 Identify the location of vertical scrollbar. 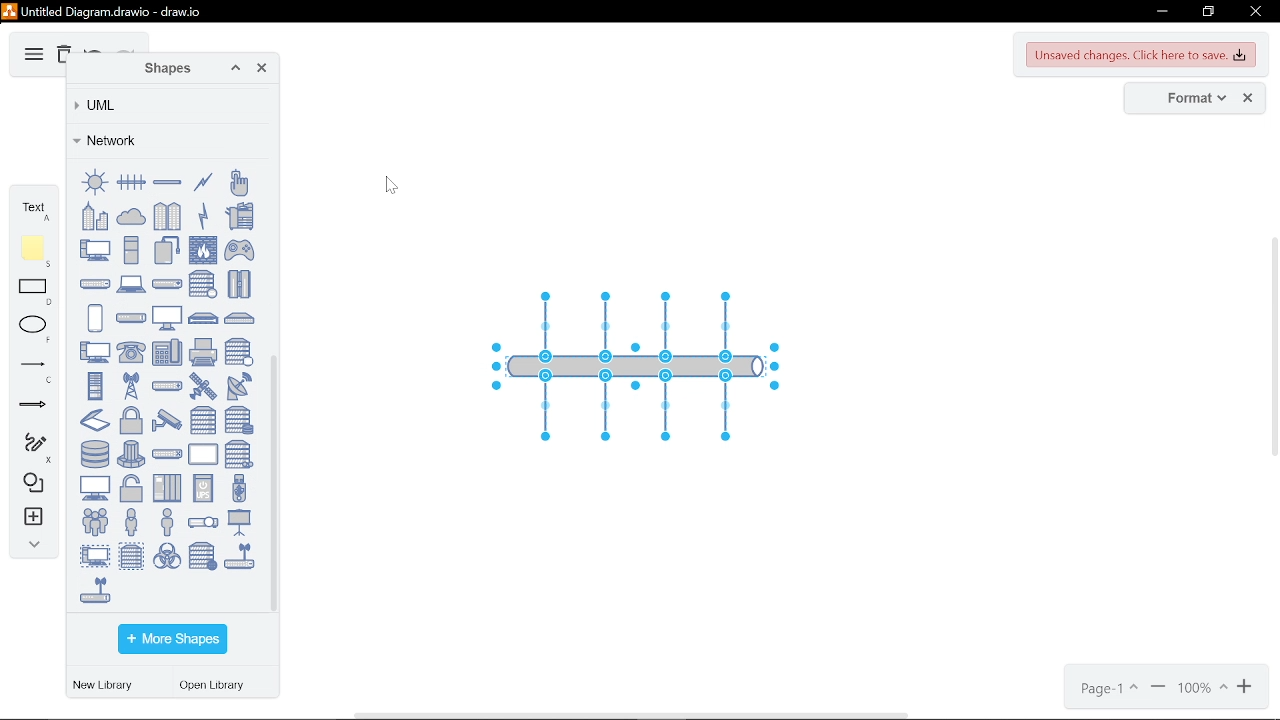
(276, 481).